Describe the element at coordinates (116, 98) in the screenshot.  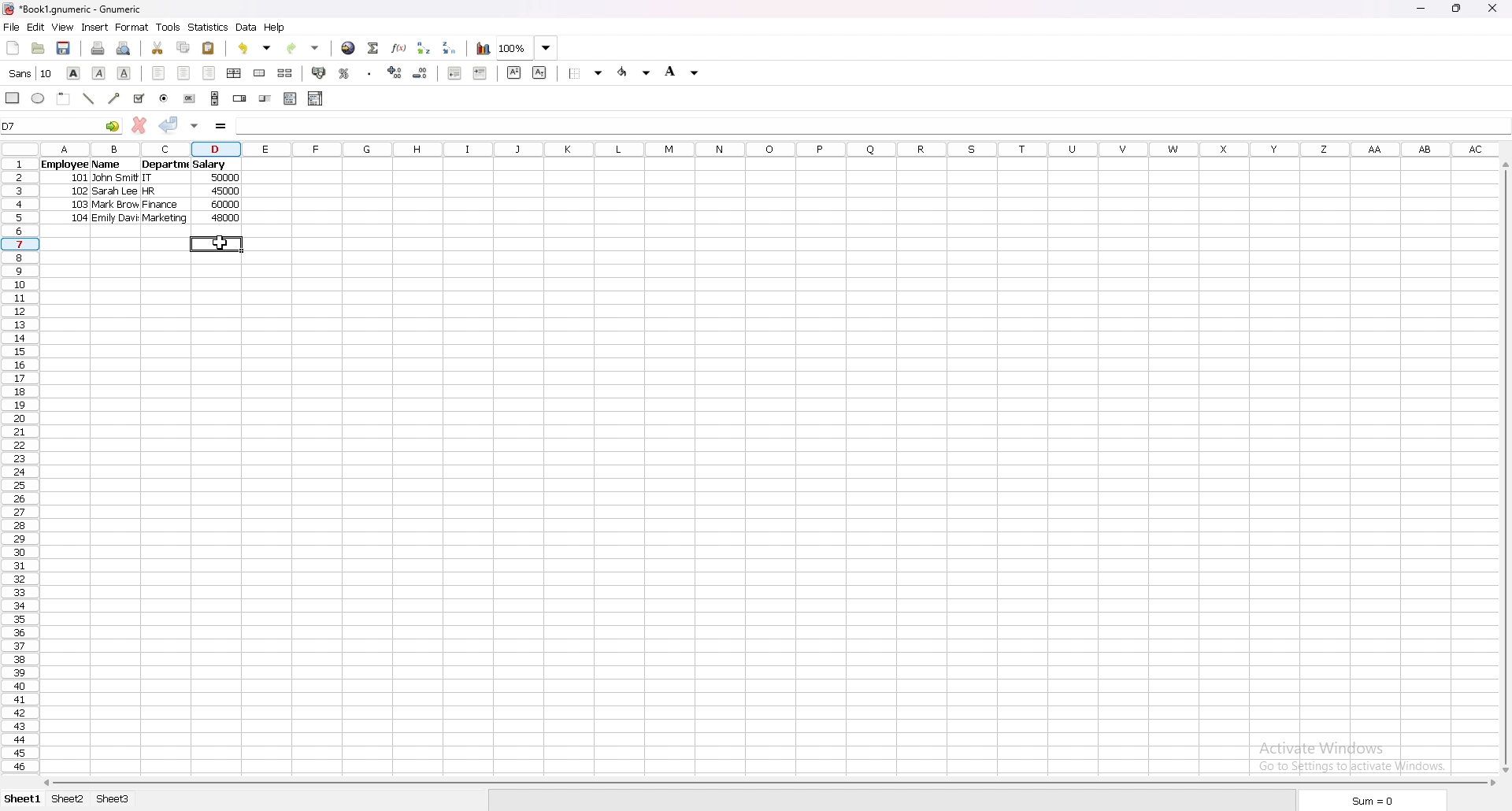
I see `arrowed line` at that location.